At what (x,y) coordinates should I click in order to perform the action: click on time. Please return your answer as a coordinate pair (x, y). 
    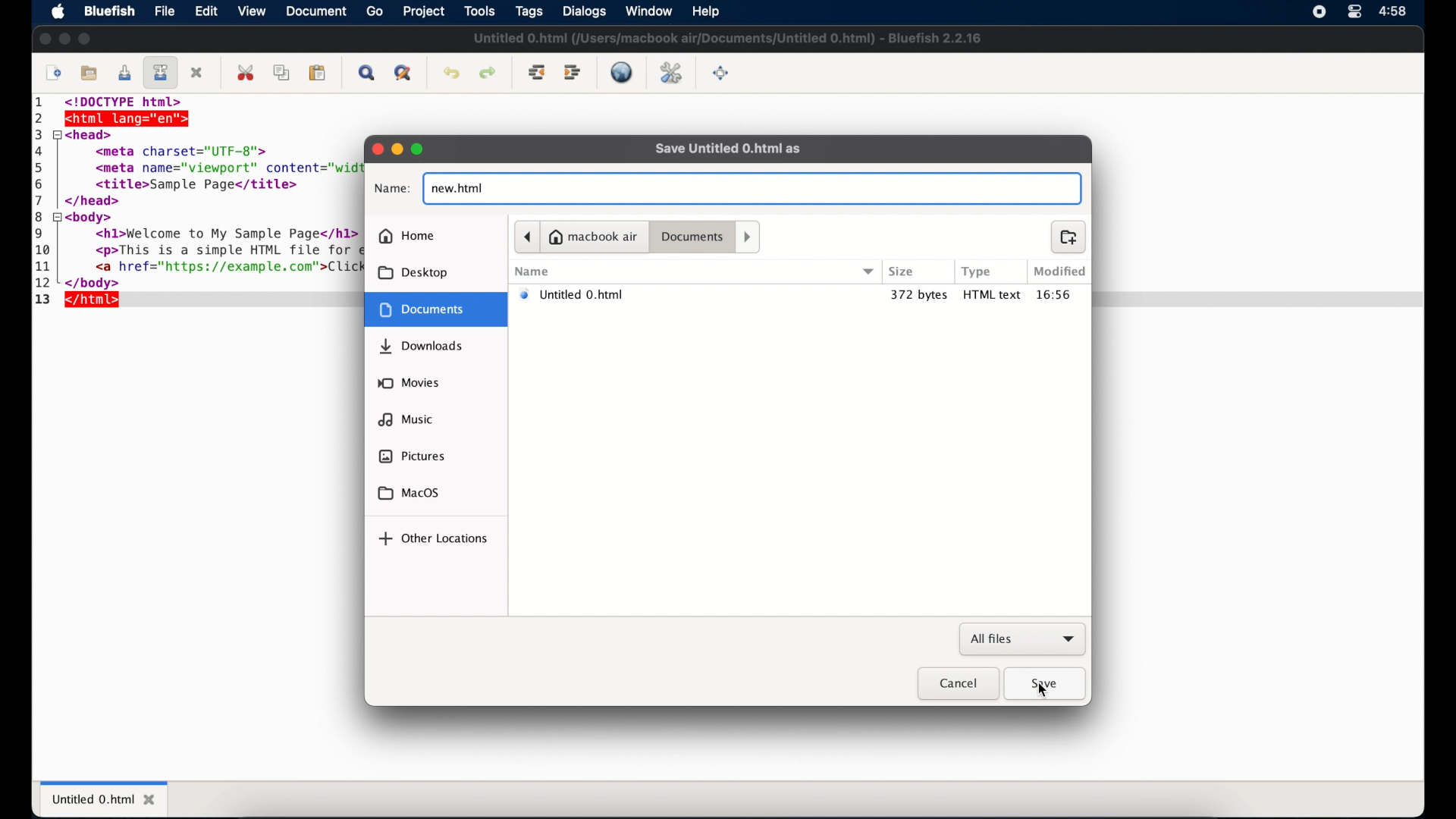
    Looking at the image, I should click on (1394, 11).